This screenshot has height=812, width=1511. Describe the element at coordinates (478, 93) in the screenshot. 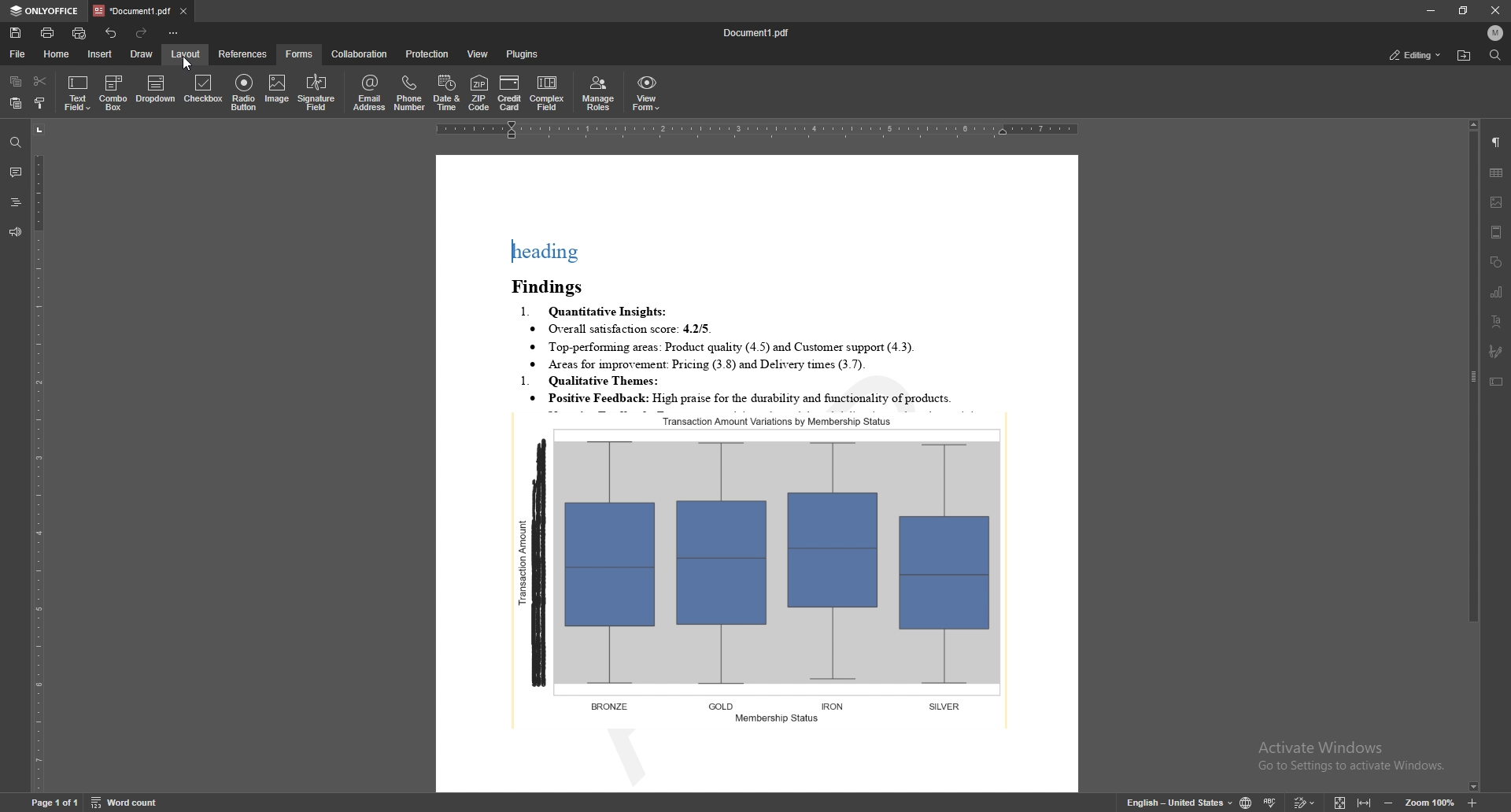

I see `zip code` at that location.